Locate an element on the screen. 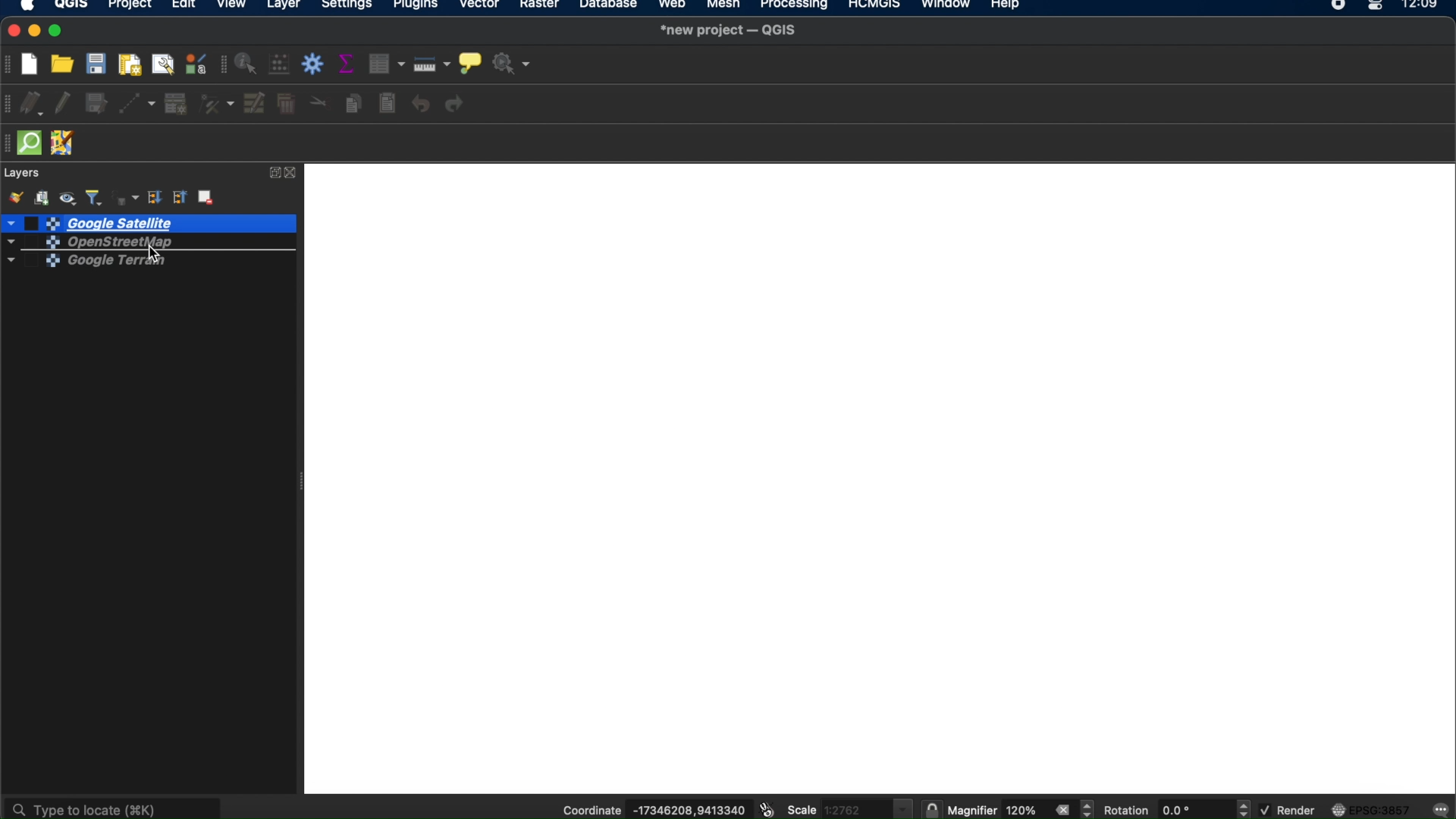 This screenshot has height=819, width=1456. add record is located at coordinates (175, 104).